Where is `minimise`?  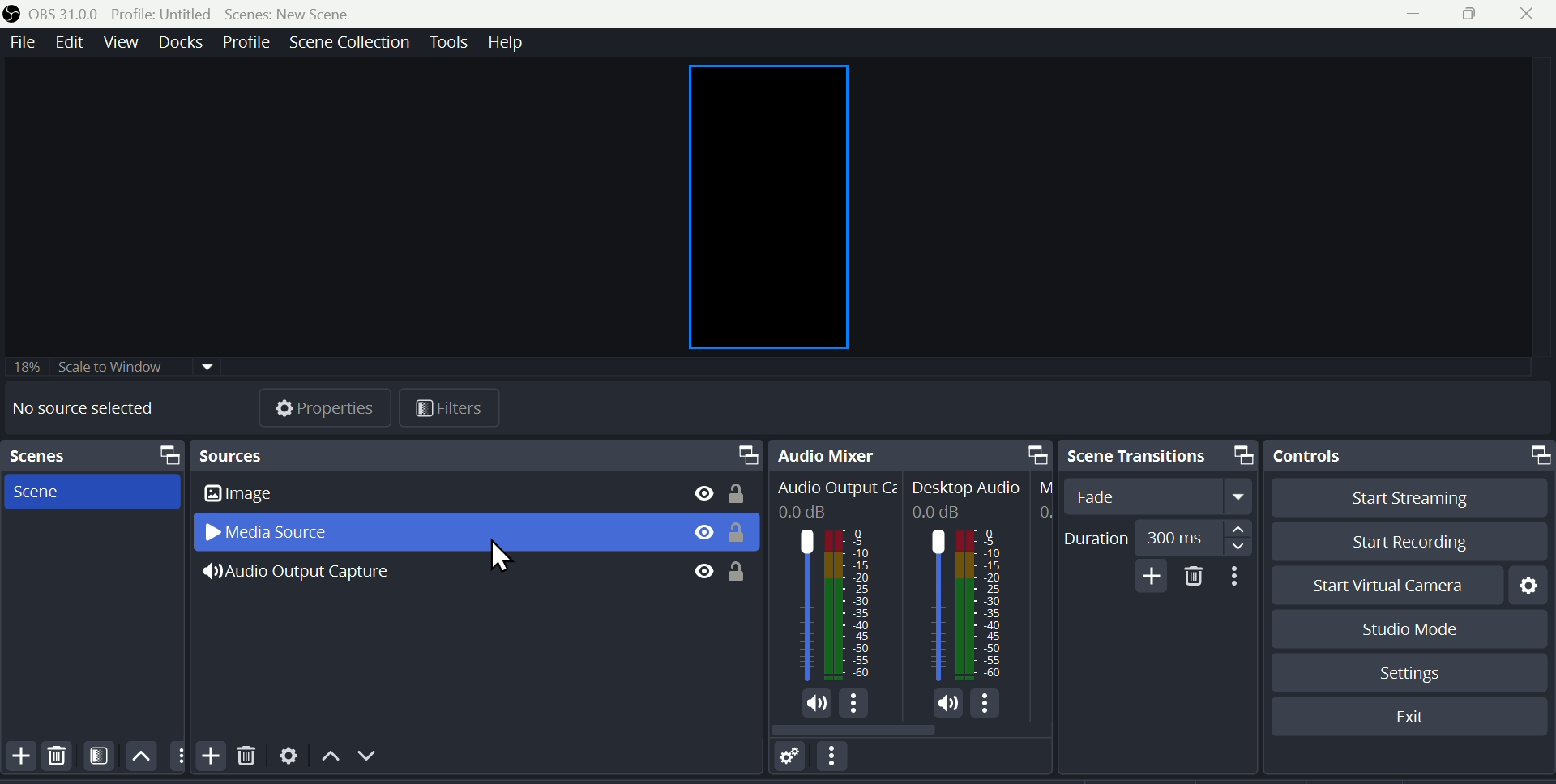 minimise is located at coordinates (1422, 13).